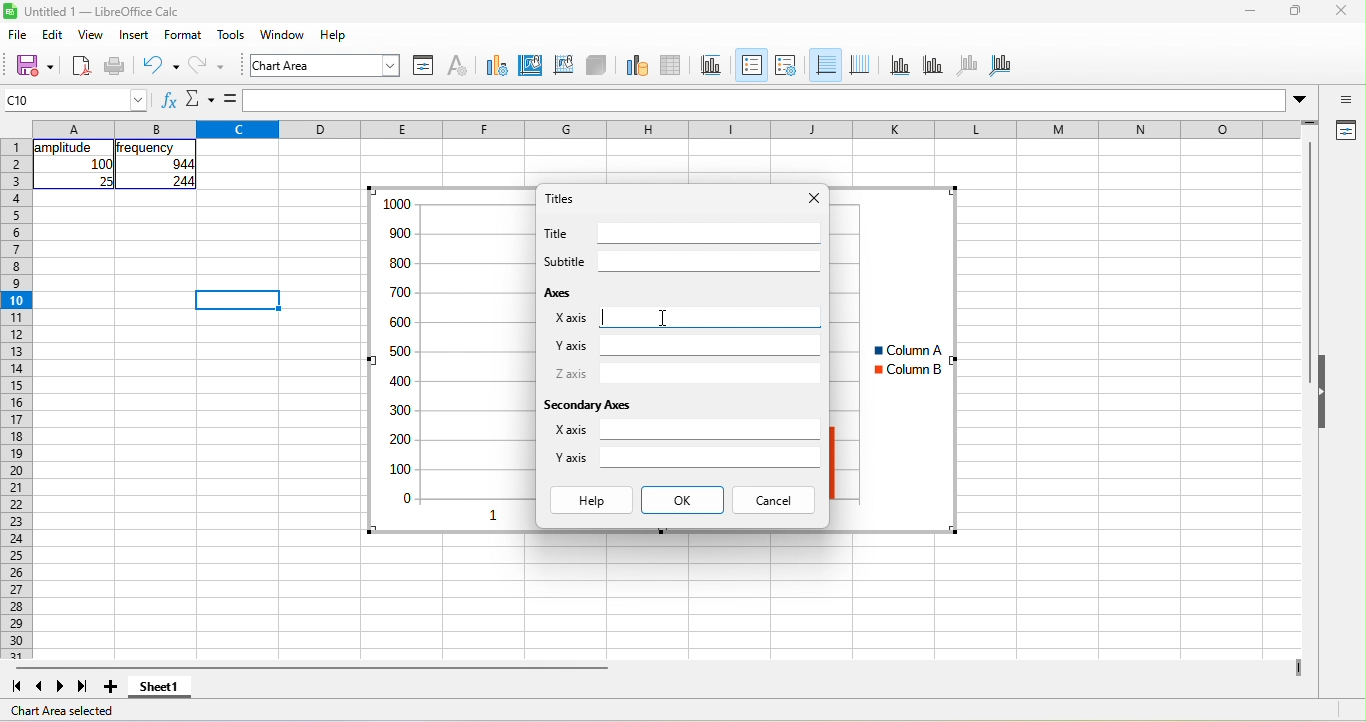 The width and height of the screenshot is (1366, 722). What do you see at coordinates (586, 405) in the screenshot?
I see `secondary axes` at bounding box center [586, 405].